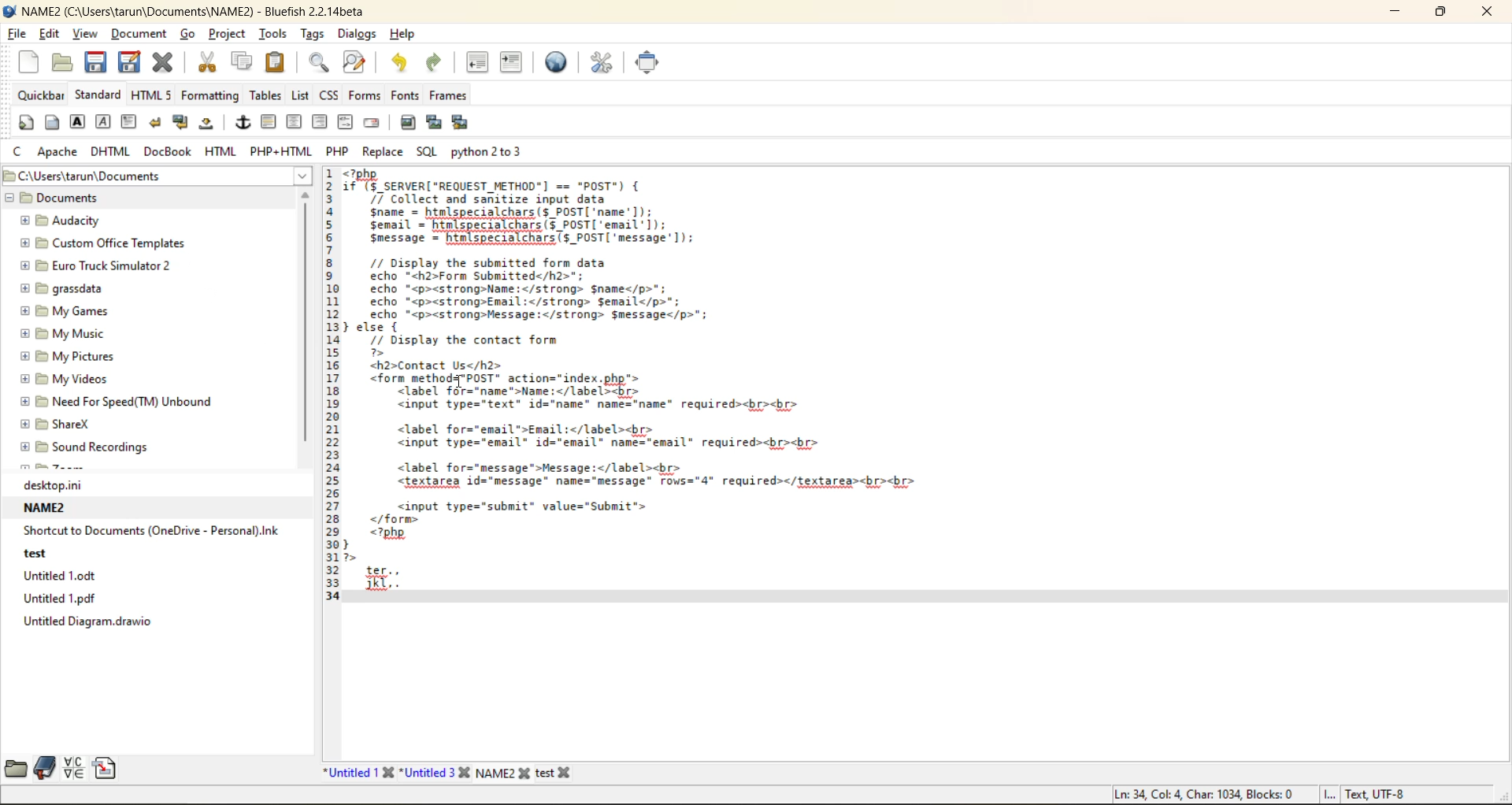 The width and height of the screenshot is (1512, 805). What do you see at coordinates (18, 768) in the screenshot?
I see `file browser` at bounding box center [18, 768].